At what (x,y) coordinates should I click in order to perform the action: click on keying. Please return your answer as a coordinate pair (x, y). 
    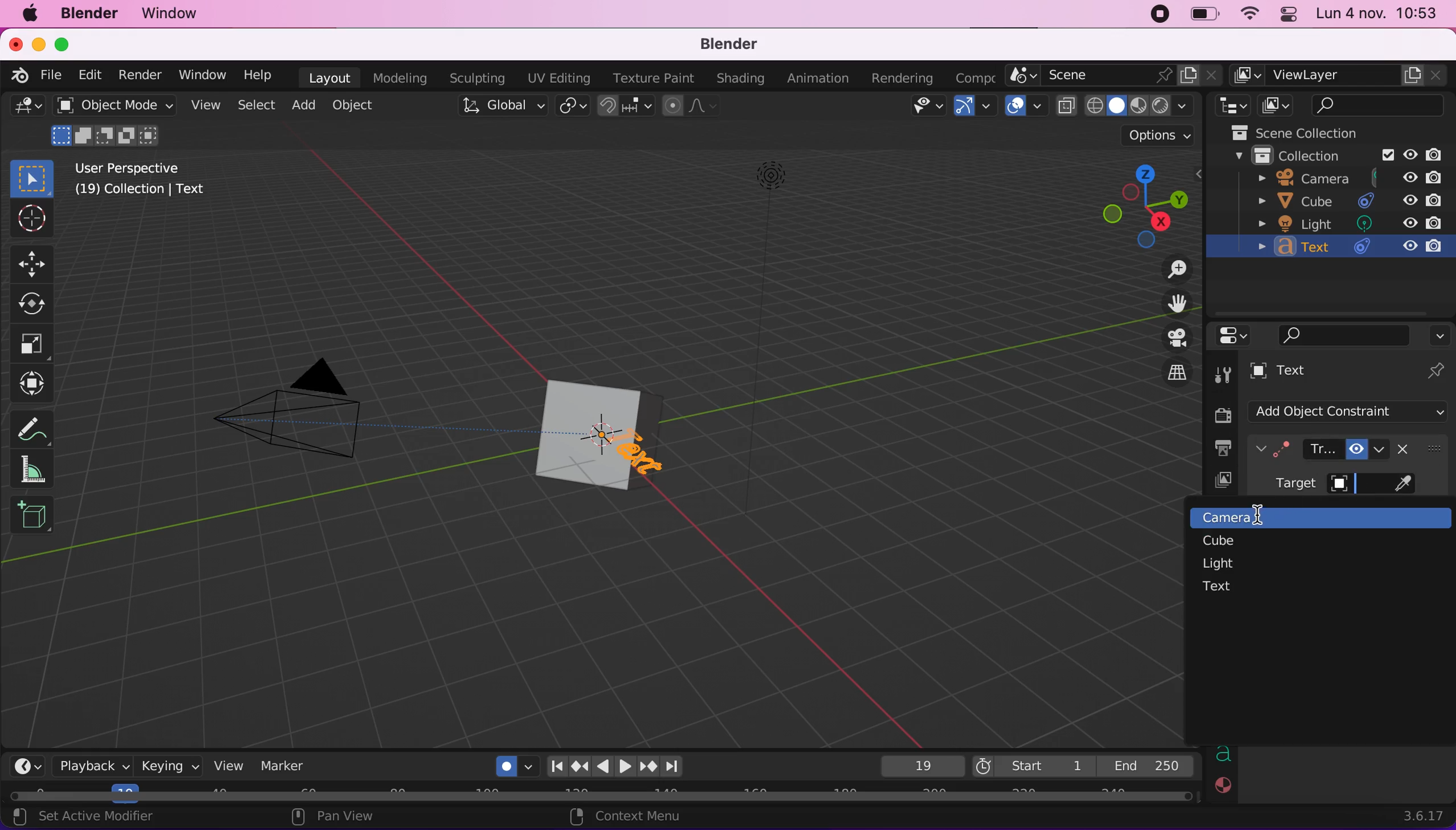
    Looking at the image, I should click on (169, 766).